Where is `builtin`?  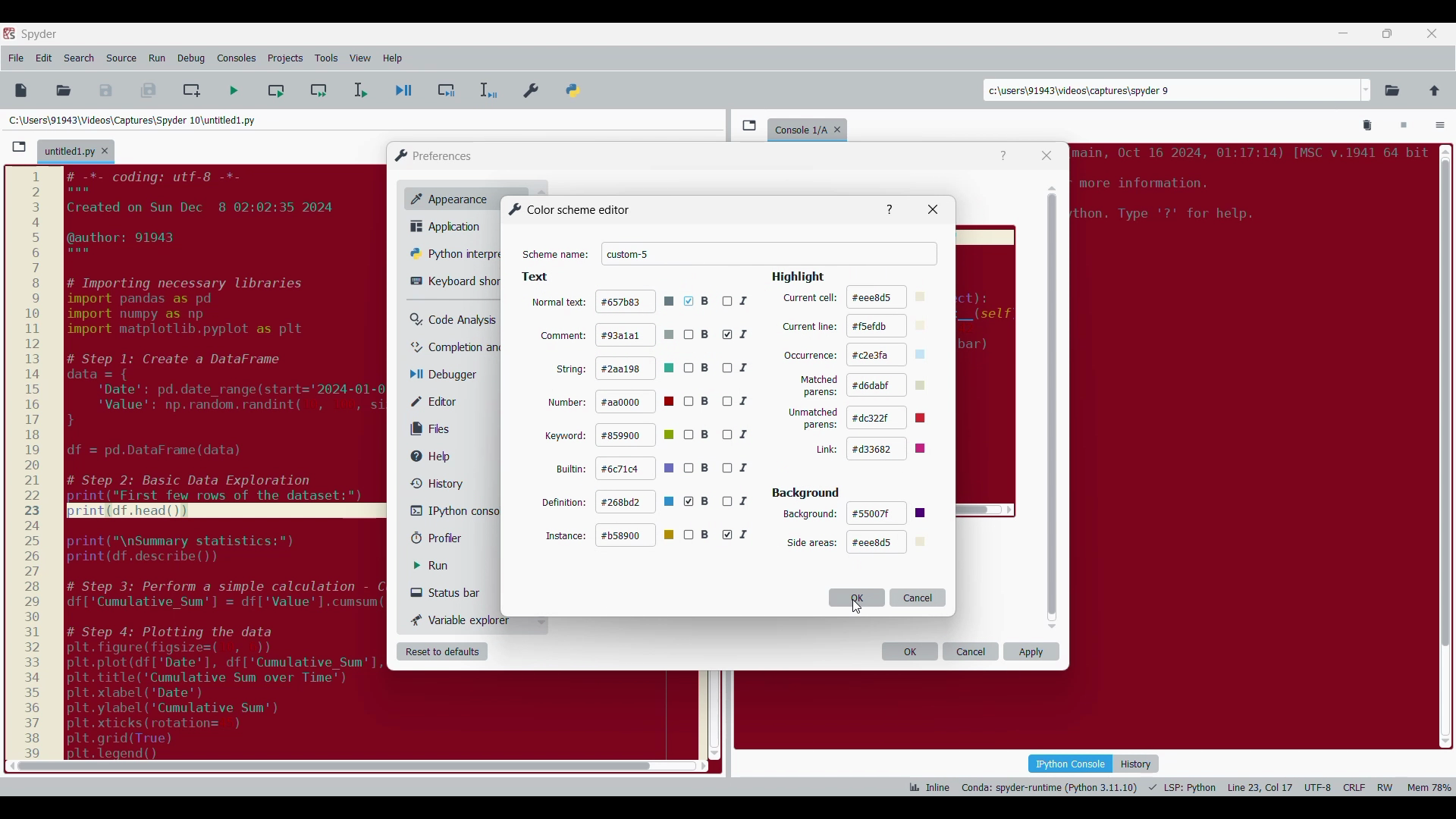 builtin is located at coordinates (573, 469).